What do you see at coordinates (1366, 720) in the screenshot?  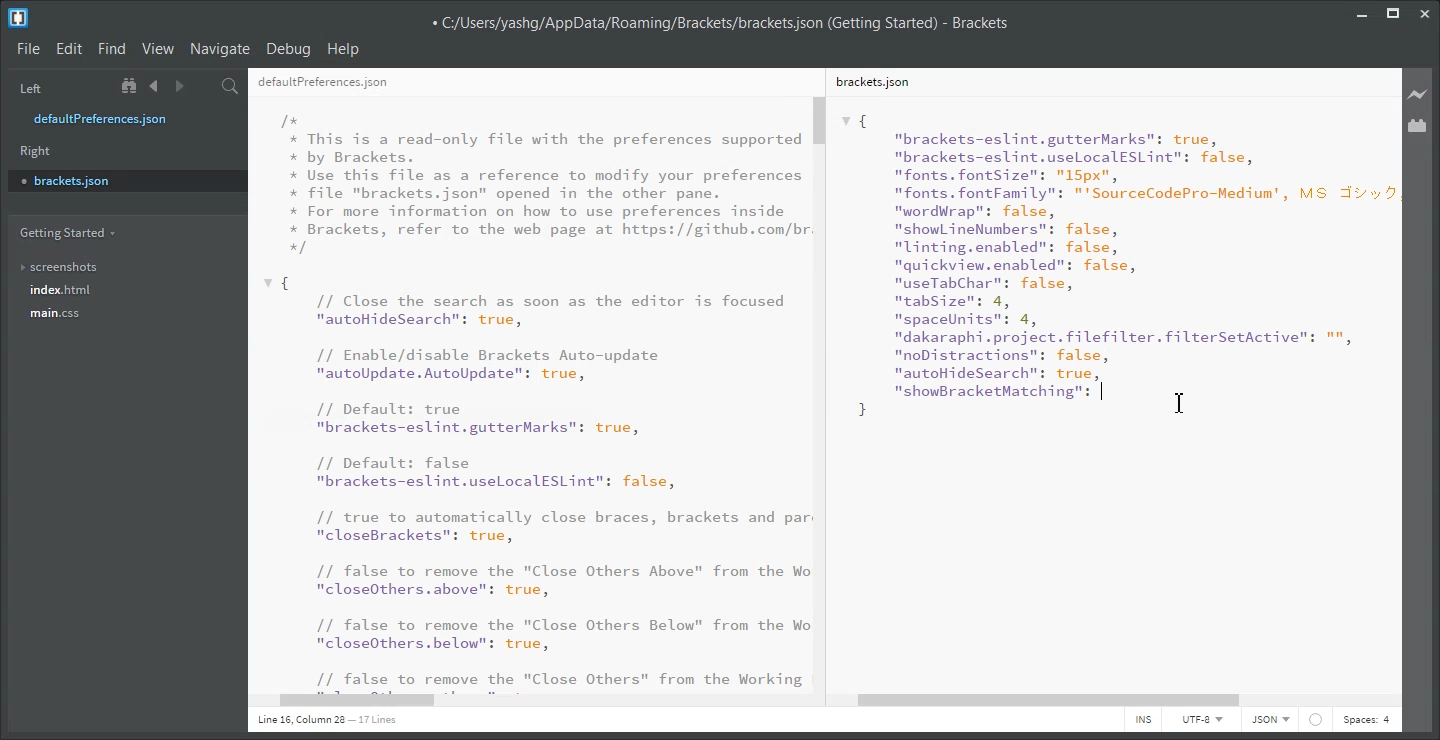 I see `Spaces: 4` at bounding box center [1366, 720].